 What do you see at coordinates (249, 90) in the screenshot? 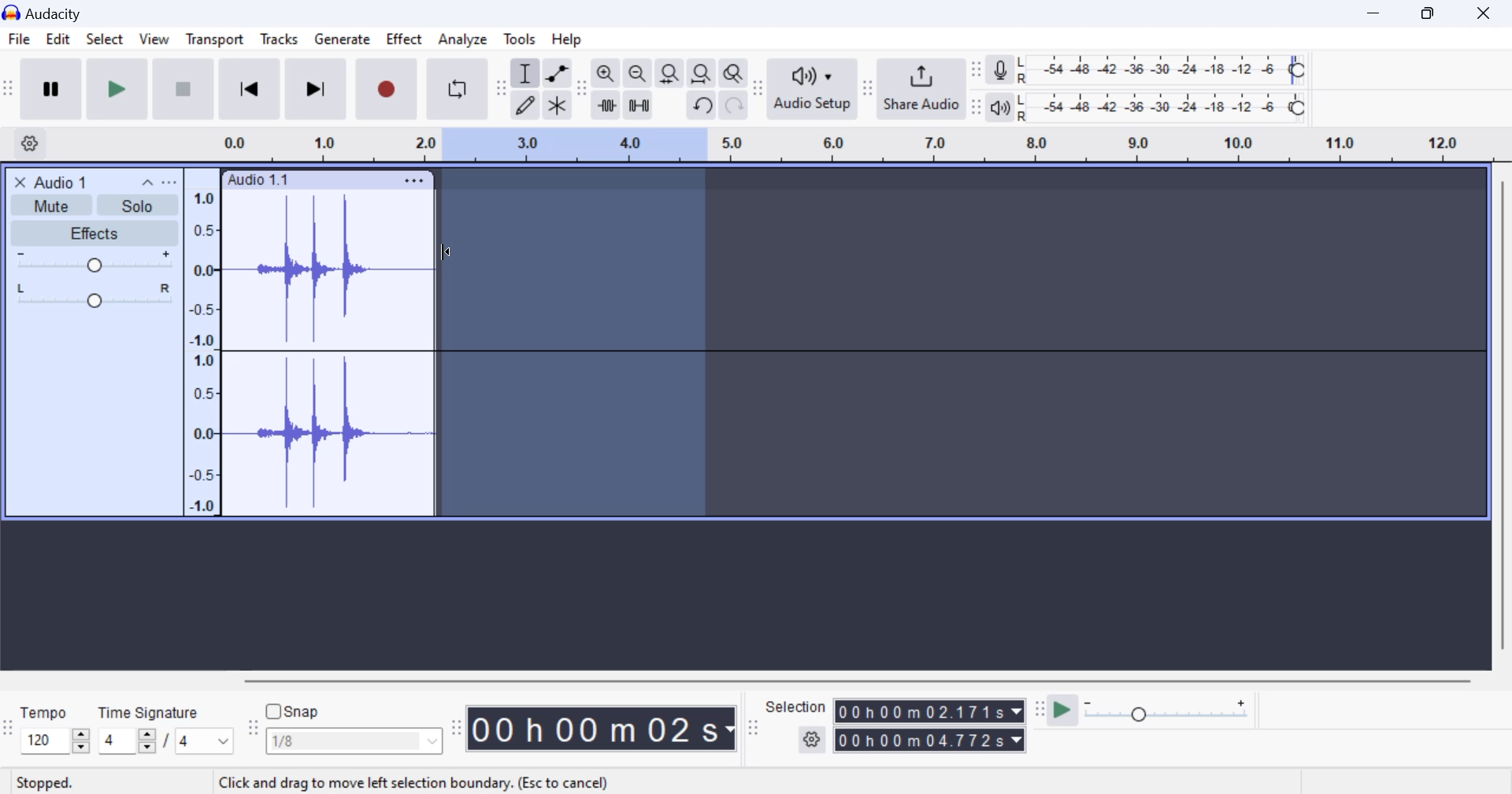
I see `Skip to Beginning` at bounding box center [249, 90].